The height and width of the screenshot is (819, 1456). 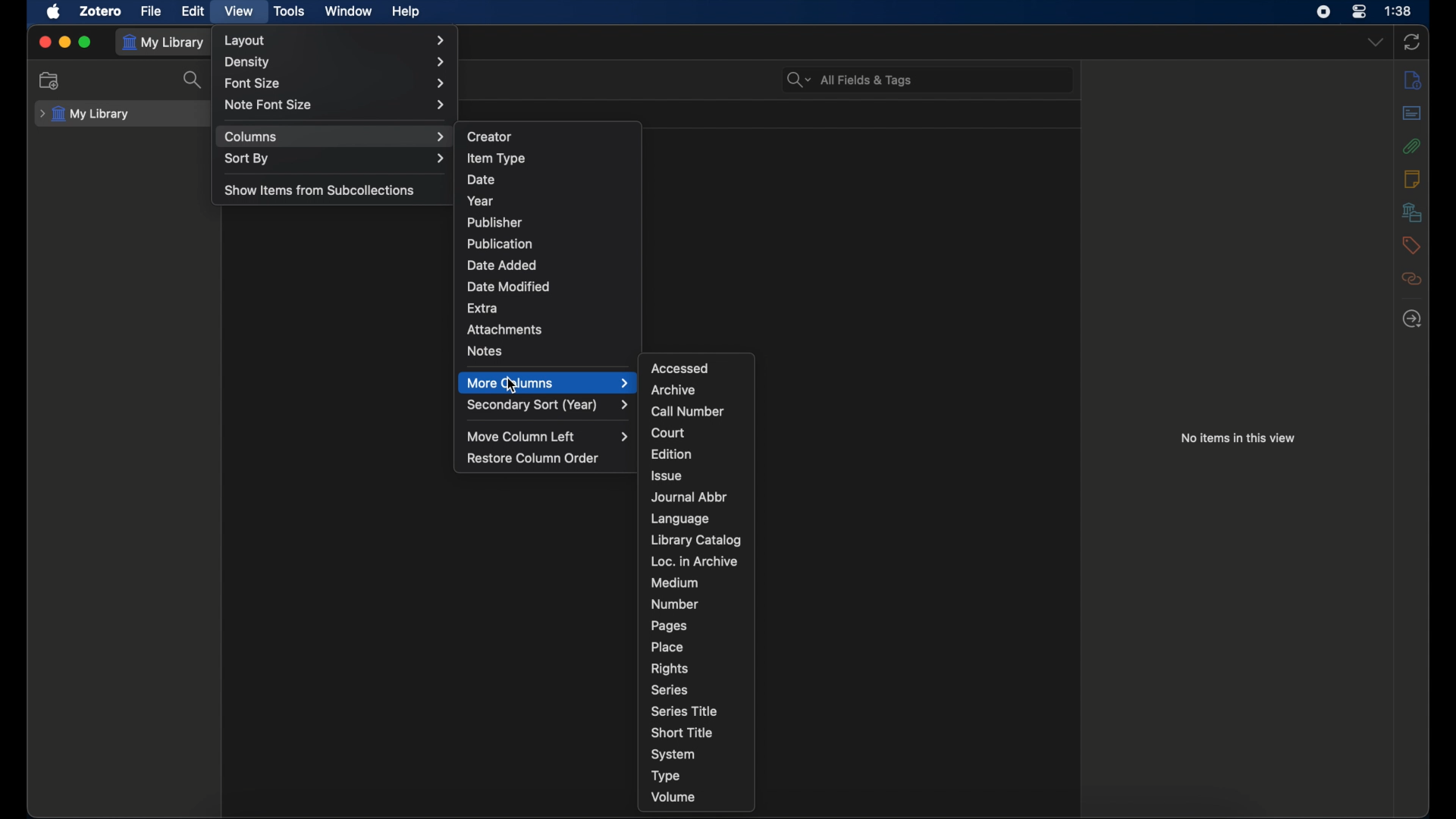 I want to click on zotero, so click(x=101, y=11).